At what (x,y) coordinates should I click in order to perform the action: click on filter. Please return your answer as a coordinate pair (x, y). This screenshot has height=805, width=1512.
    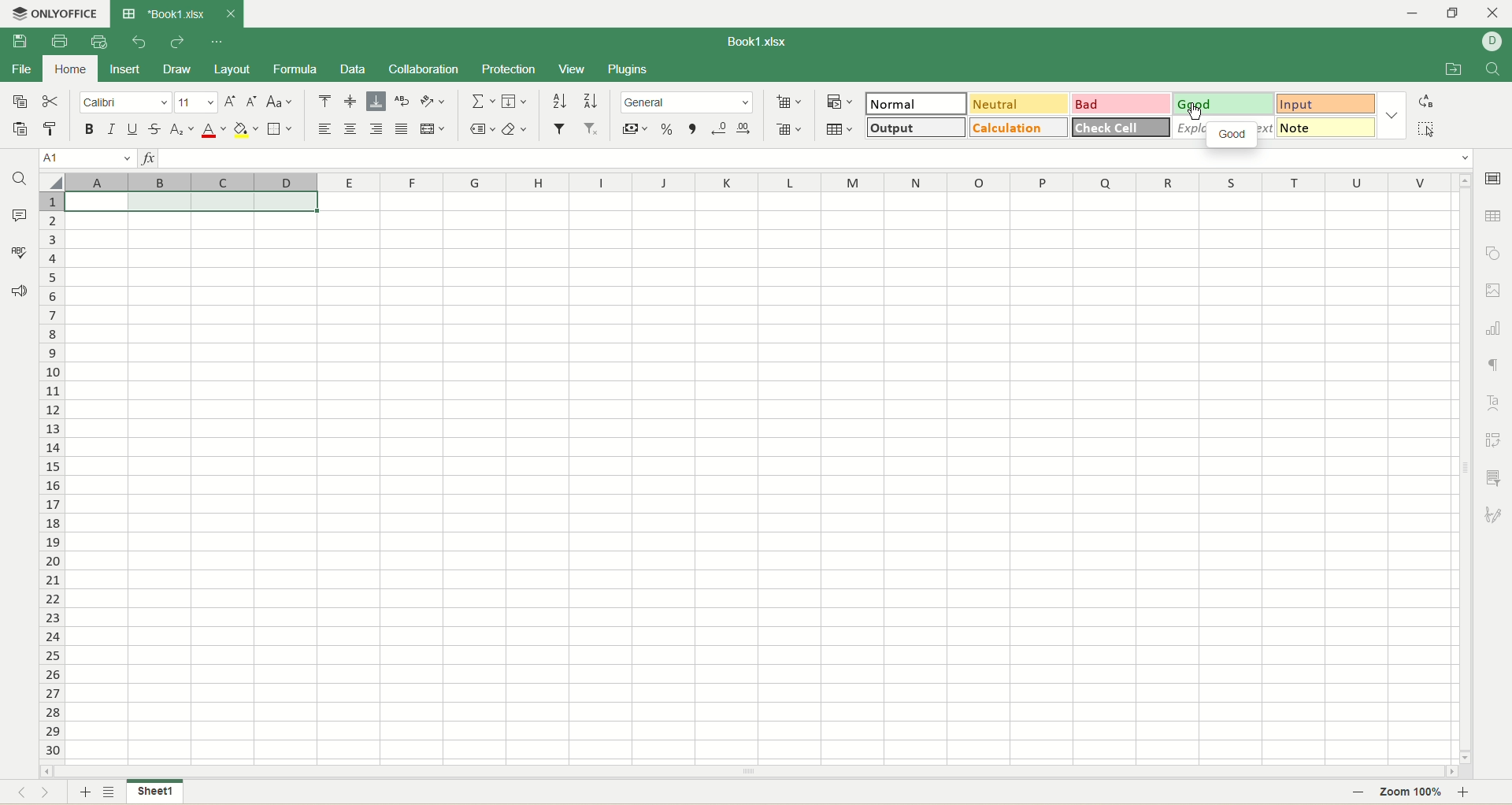
    Looking at the image, I should click on (559, 128).